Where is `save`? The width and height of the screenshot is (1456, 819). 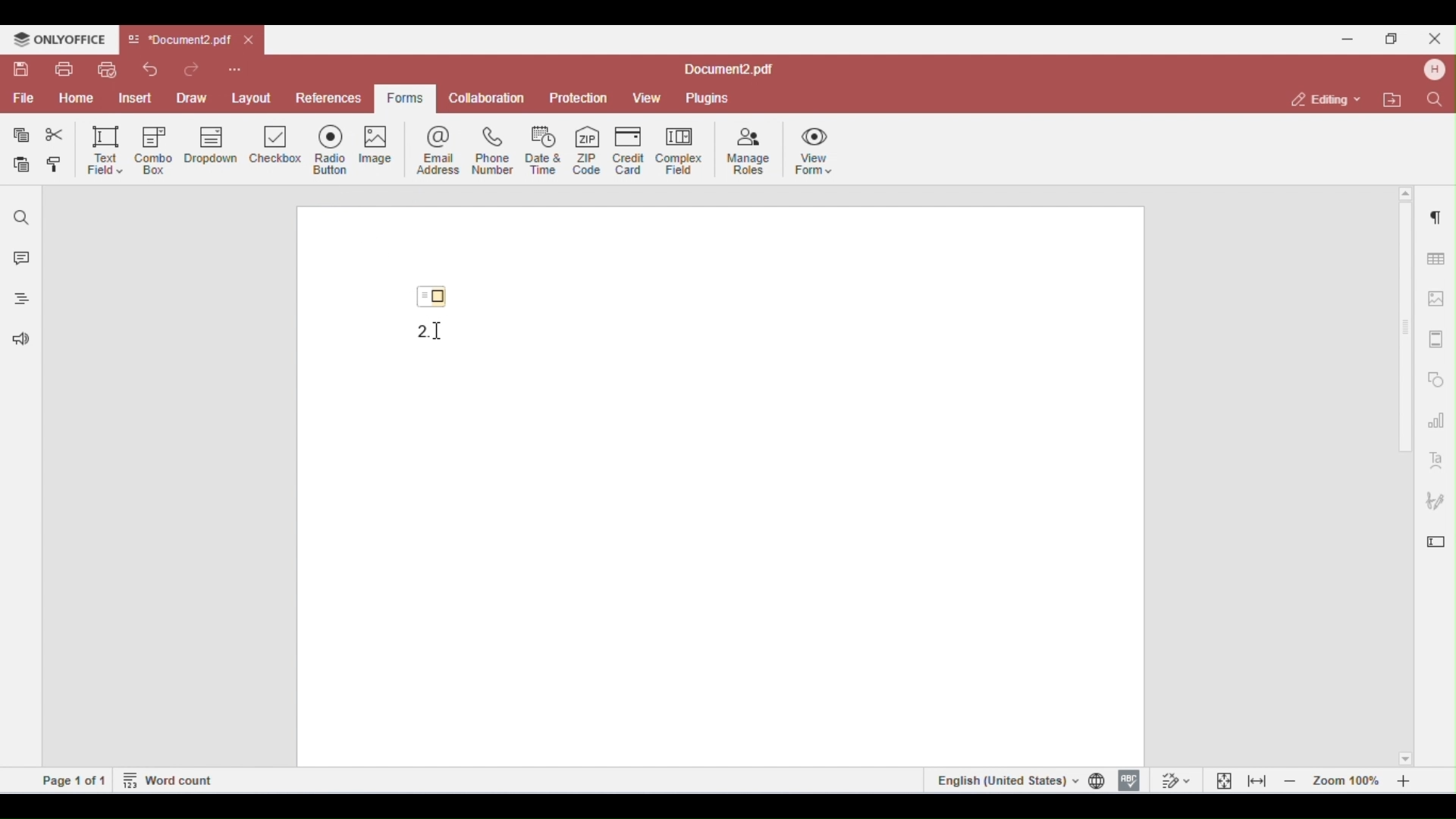
save is located at coordinates (23, 69).